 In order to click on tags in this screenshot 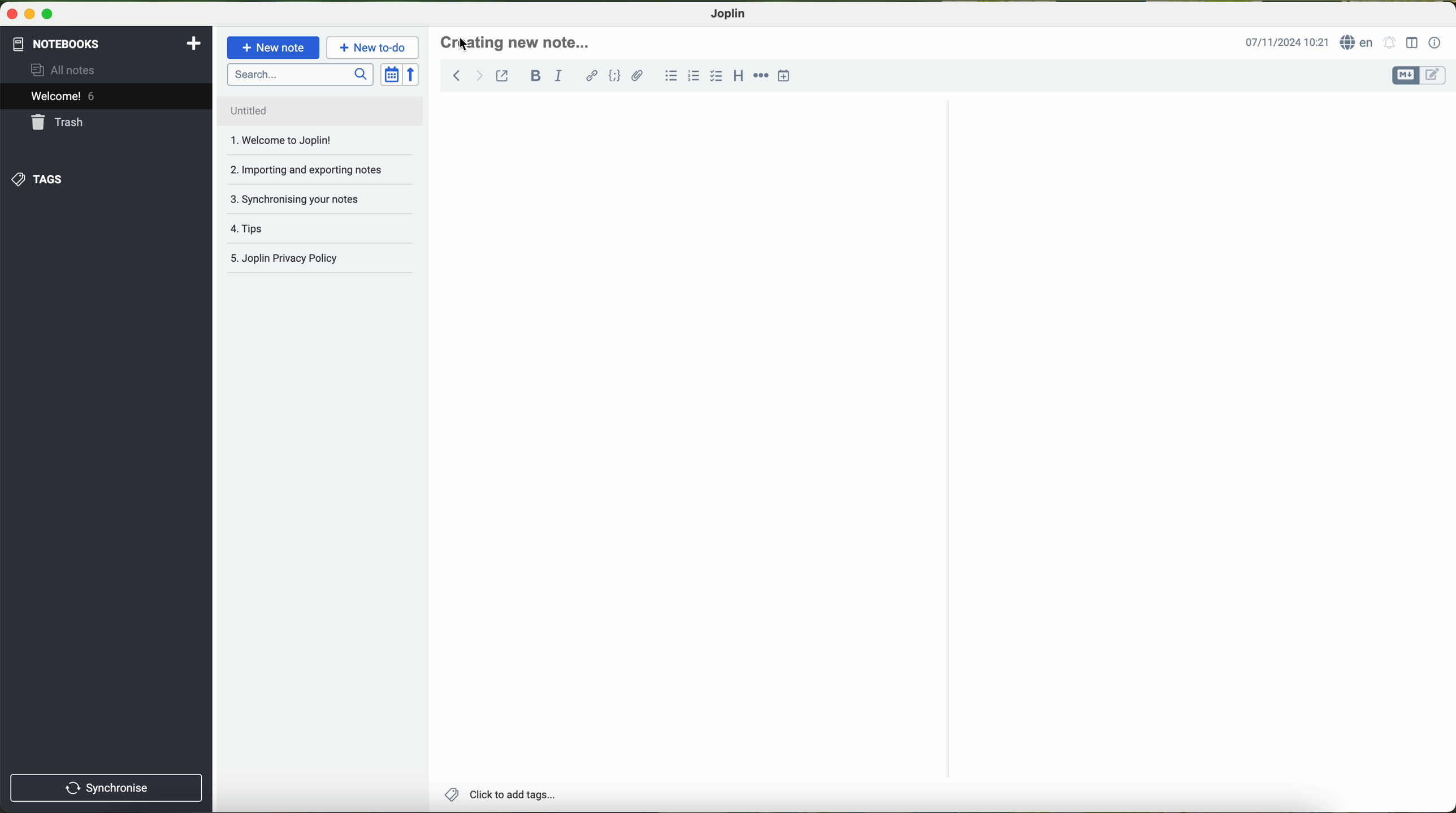, I will do `click(38, 180)`.